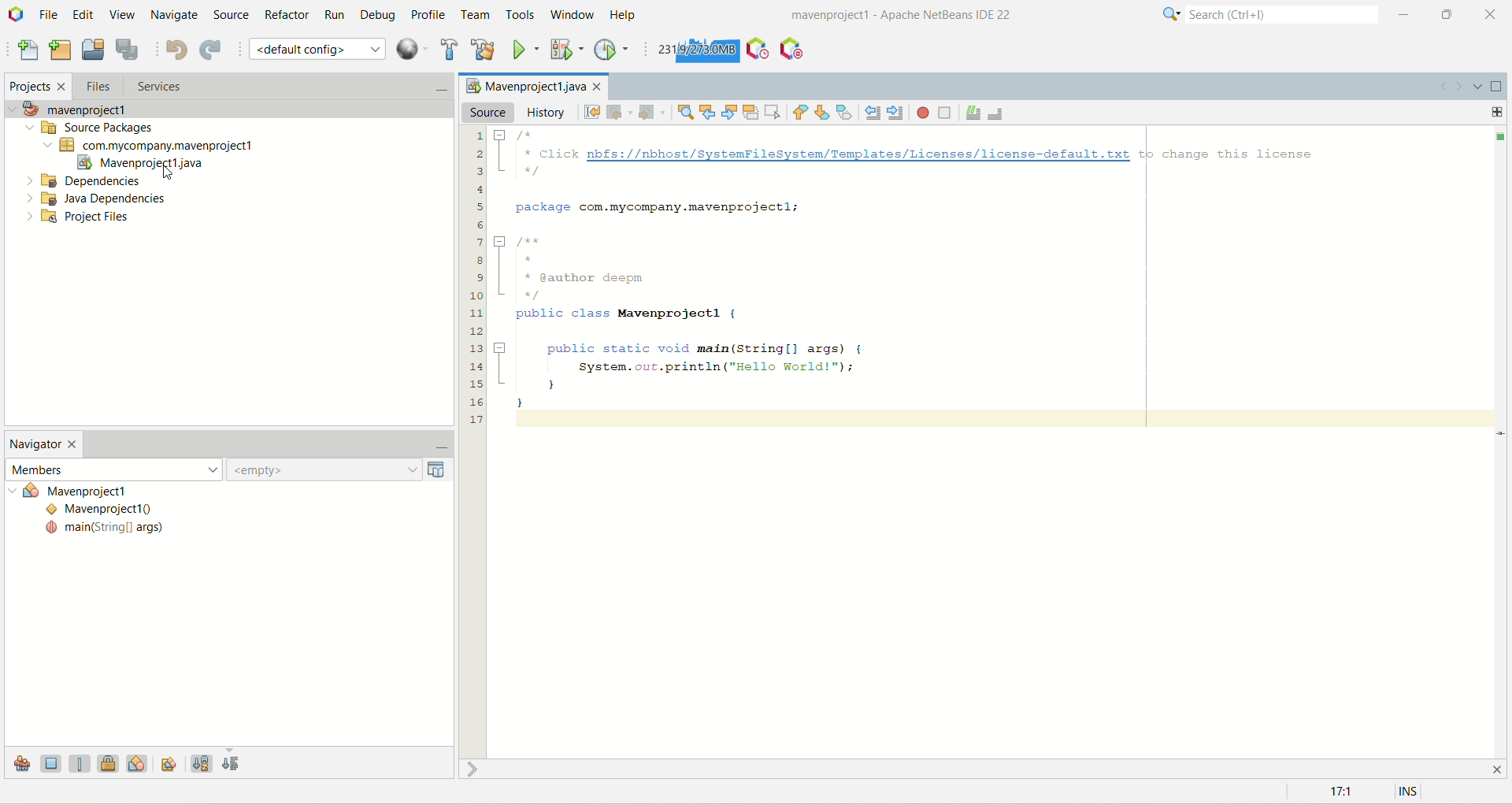  Describe the element at coordinates (382, 17) in the screenshot. I see `debug` at that location.